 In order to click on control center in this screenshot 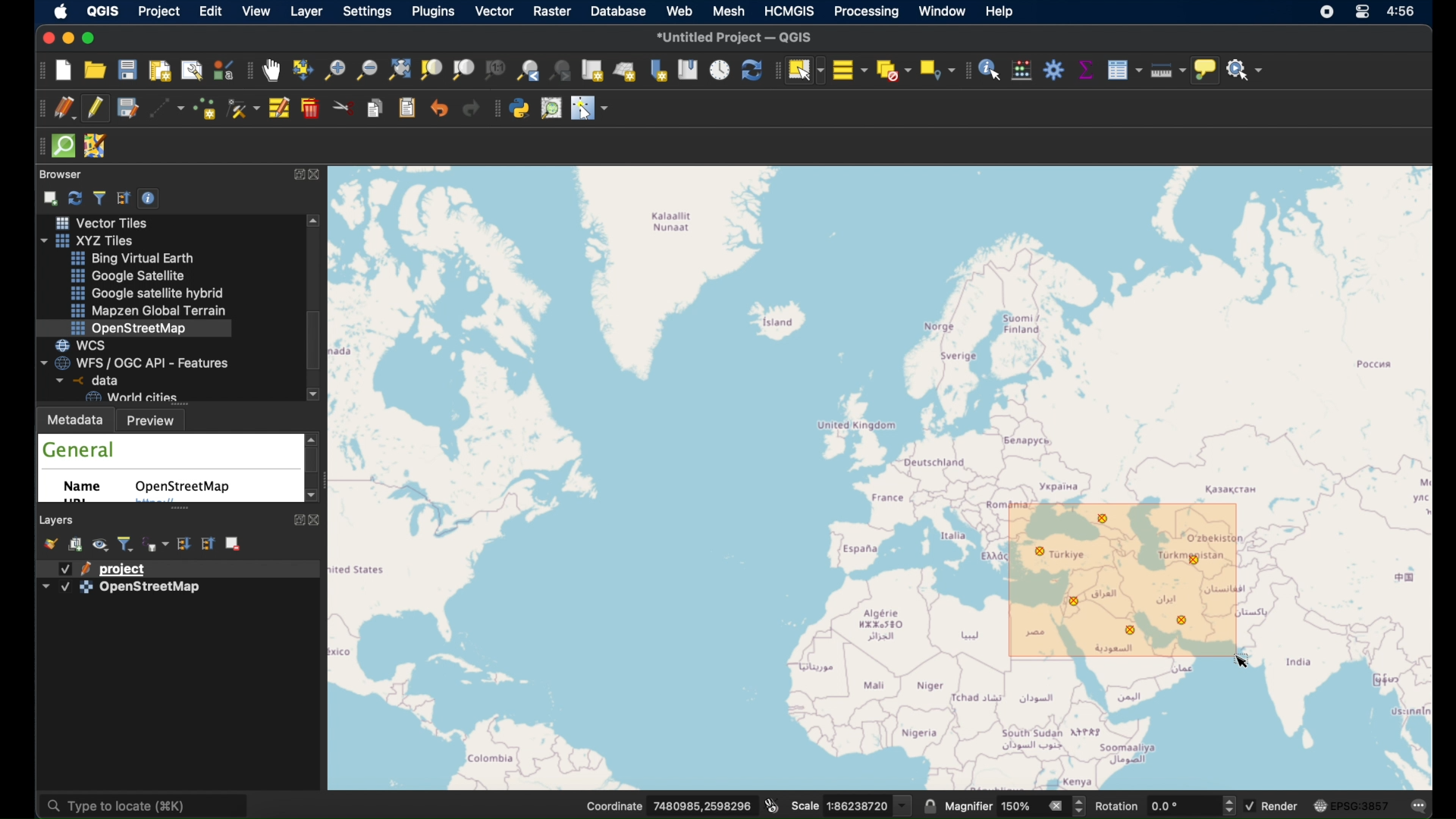, I will do `click(1364, 14)`.